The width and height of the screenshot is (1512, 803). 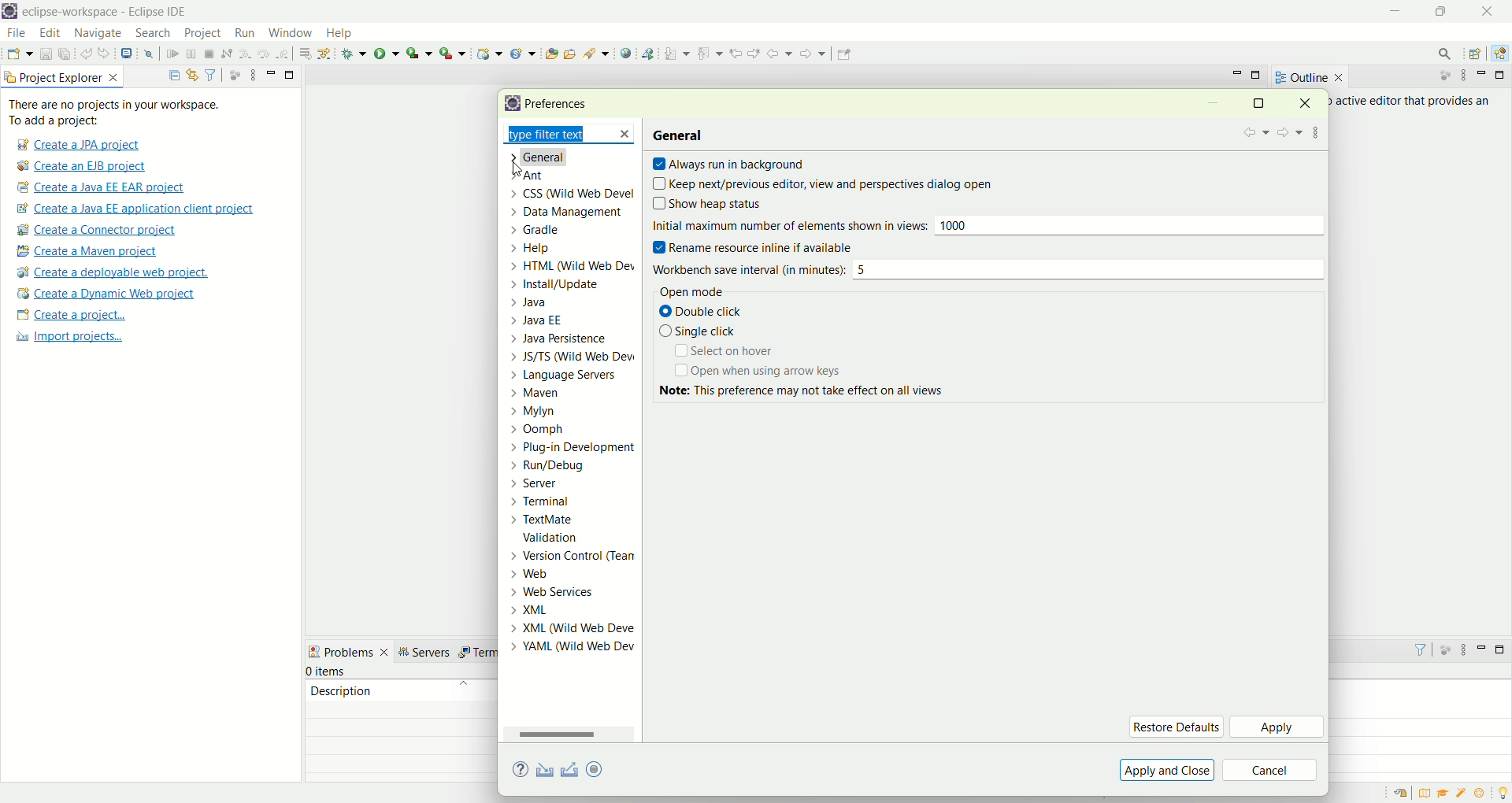 What do you see at coordinates (1237, 73) in the screenshot?
I see `minimize` at bounding box center [1237, 73].